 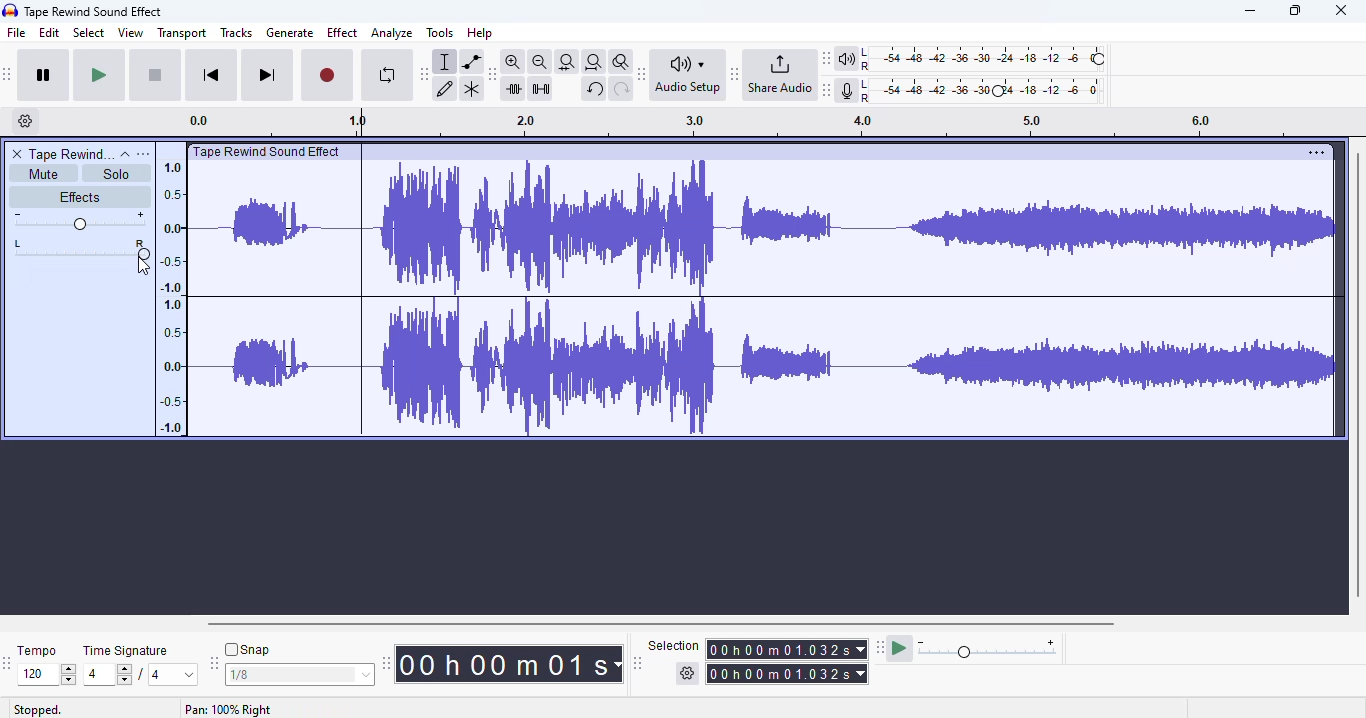 I want to click on mute, so click(x=44, y=174).